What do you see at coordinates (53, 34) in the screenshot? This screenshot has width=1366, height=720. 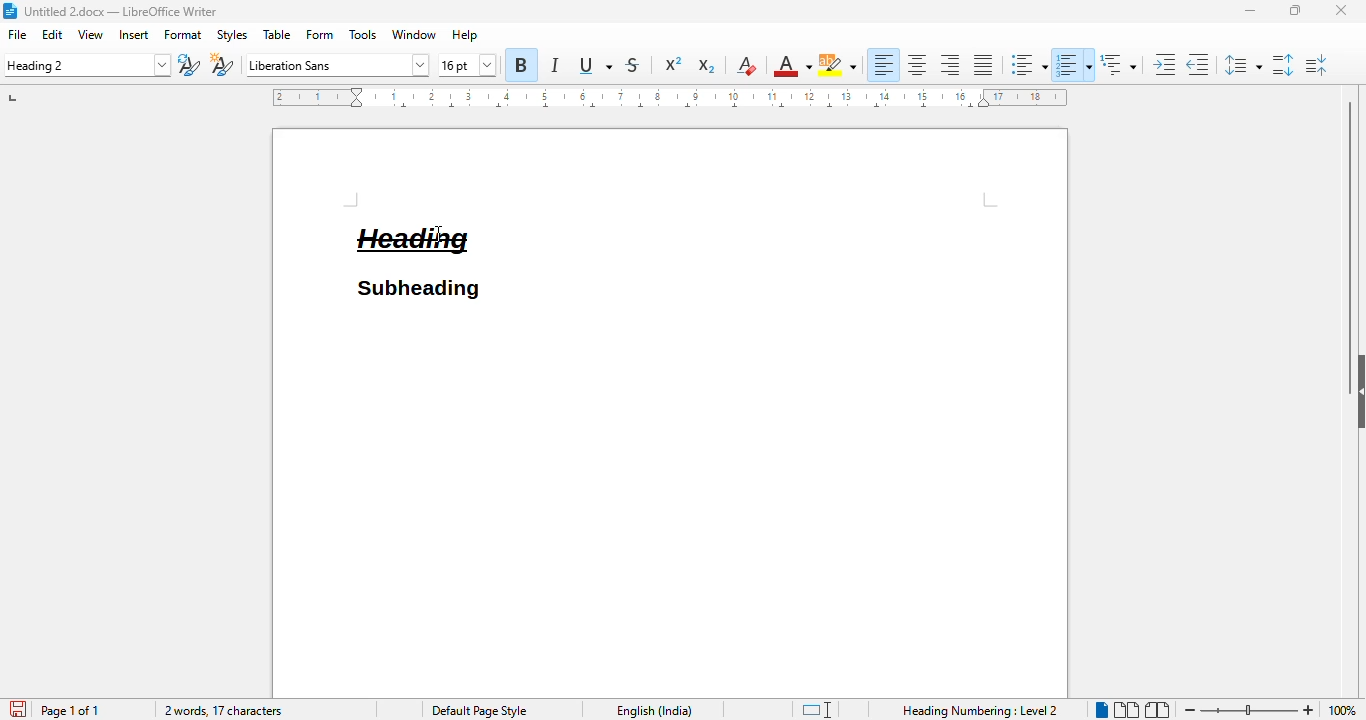 I see `edit` at bounding box center [53, 34].